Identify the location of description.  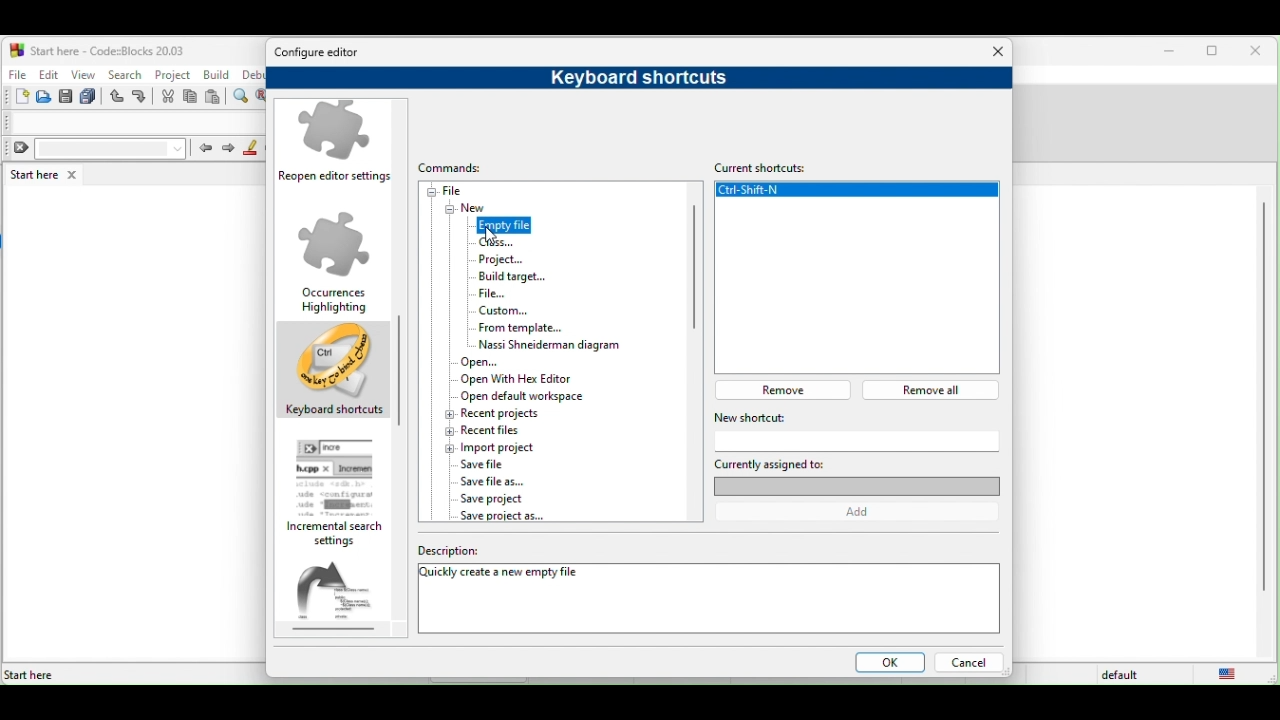
(495, 552).